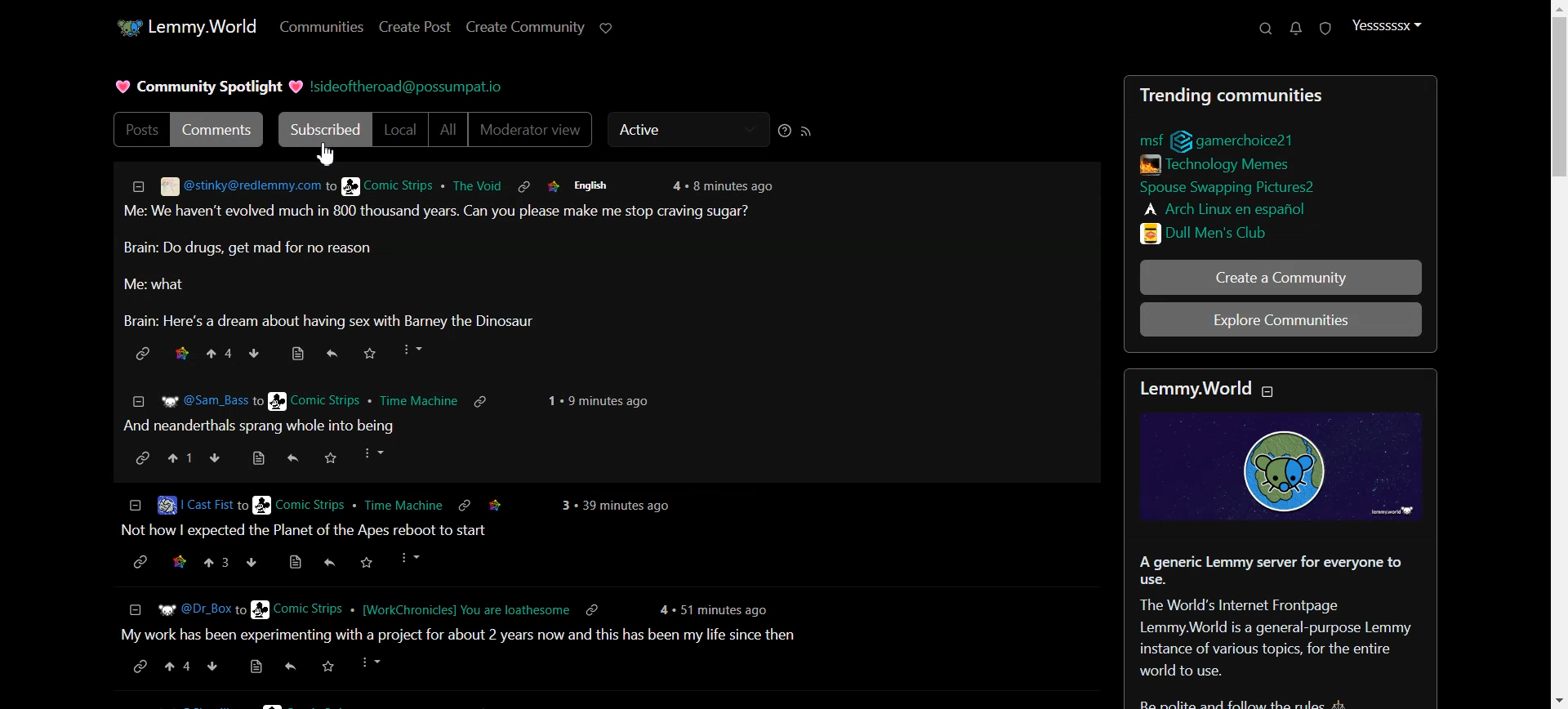 The width and height of the screenshot is (1568, 709). What do you see at coordinates (177, 672) in the screenshot?
I see `upvote` at bounding box center [177, 672].